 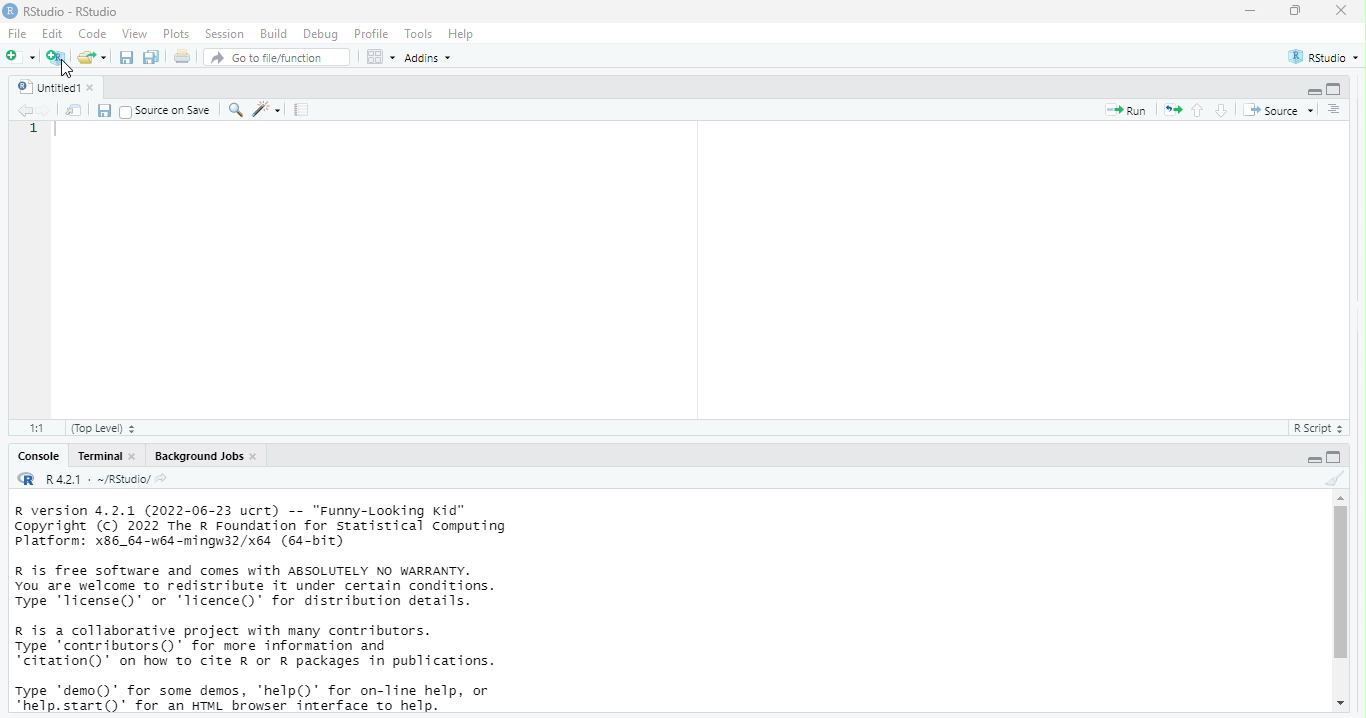 What do you see at coordinates (277, 525) in the screenshot?
I see `description of version of R` at bounding box center [277, 525].